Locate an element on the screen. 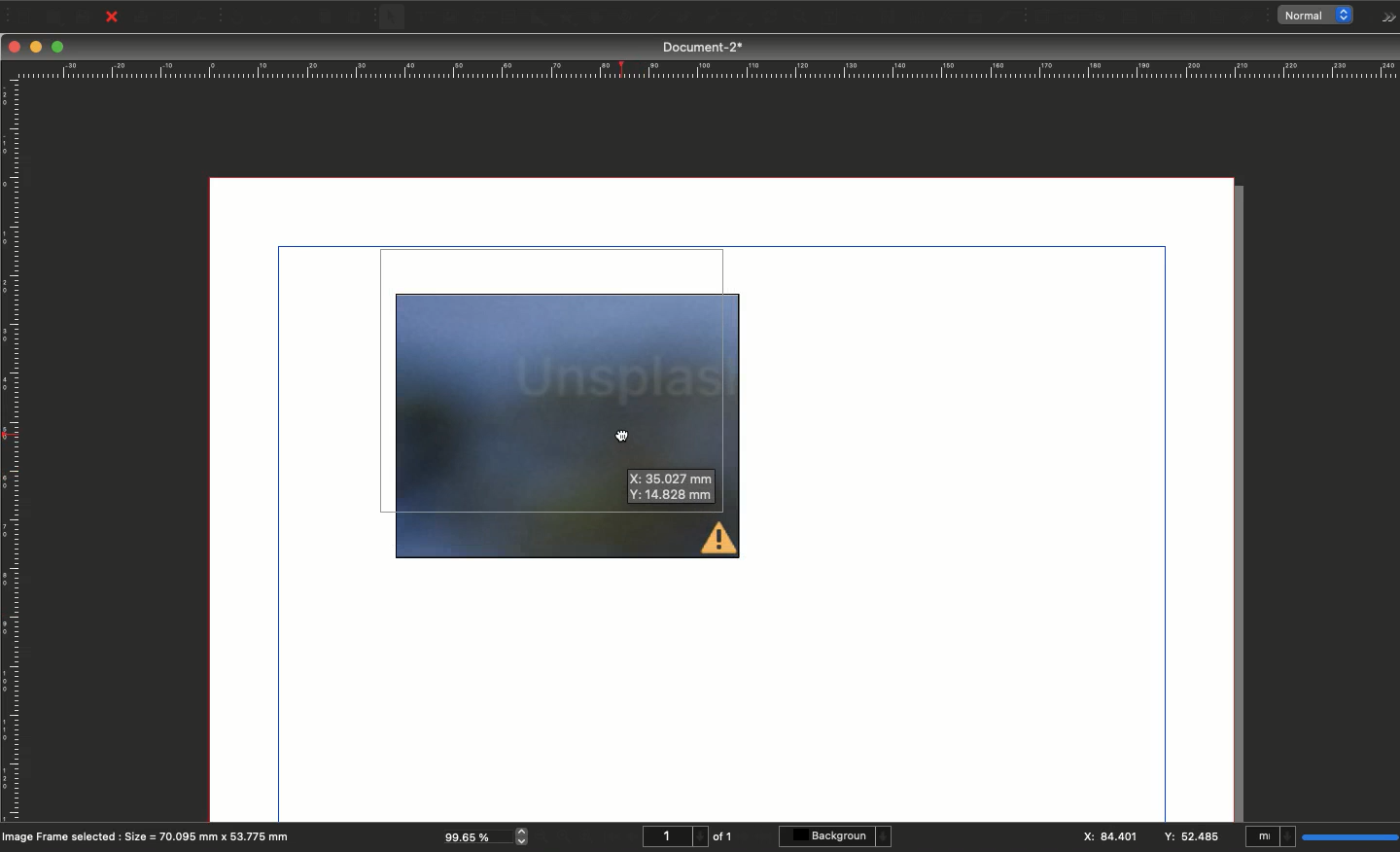  Copy item properties is located at coordinates (972, 18).